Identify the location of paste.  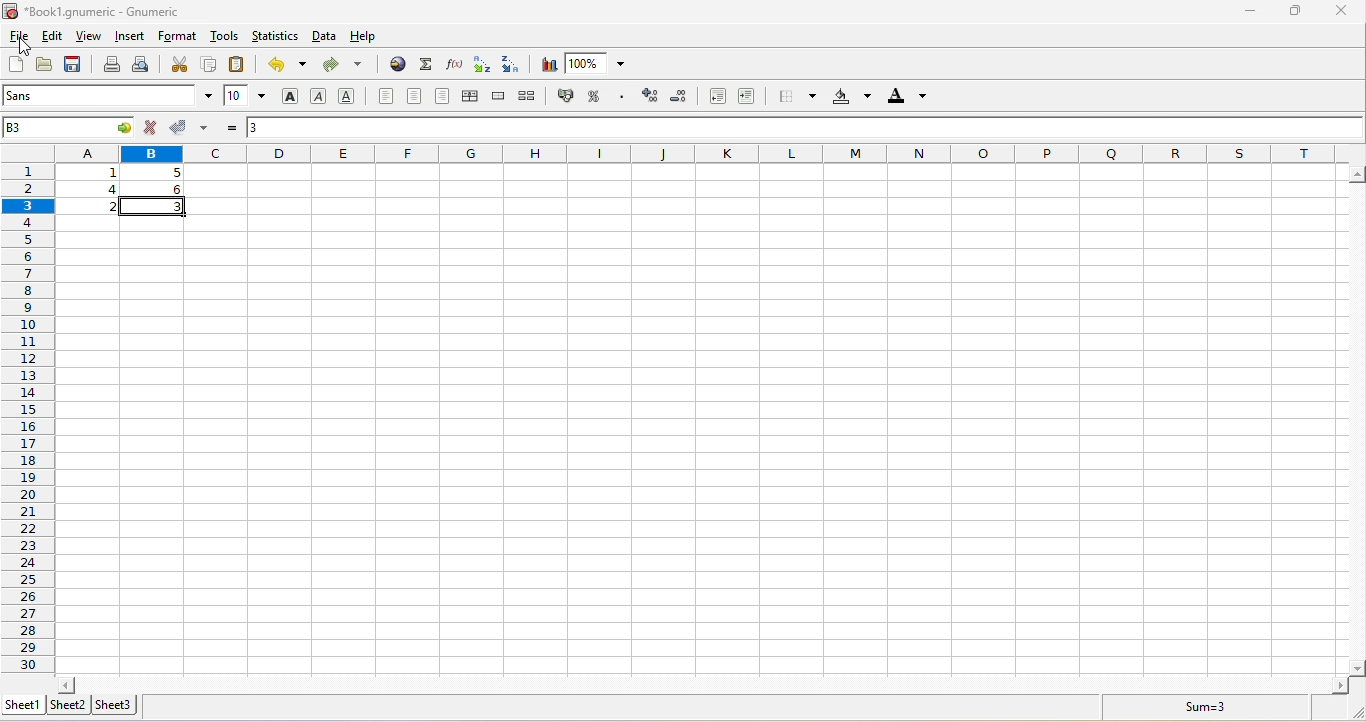
(235, 65).